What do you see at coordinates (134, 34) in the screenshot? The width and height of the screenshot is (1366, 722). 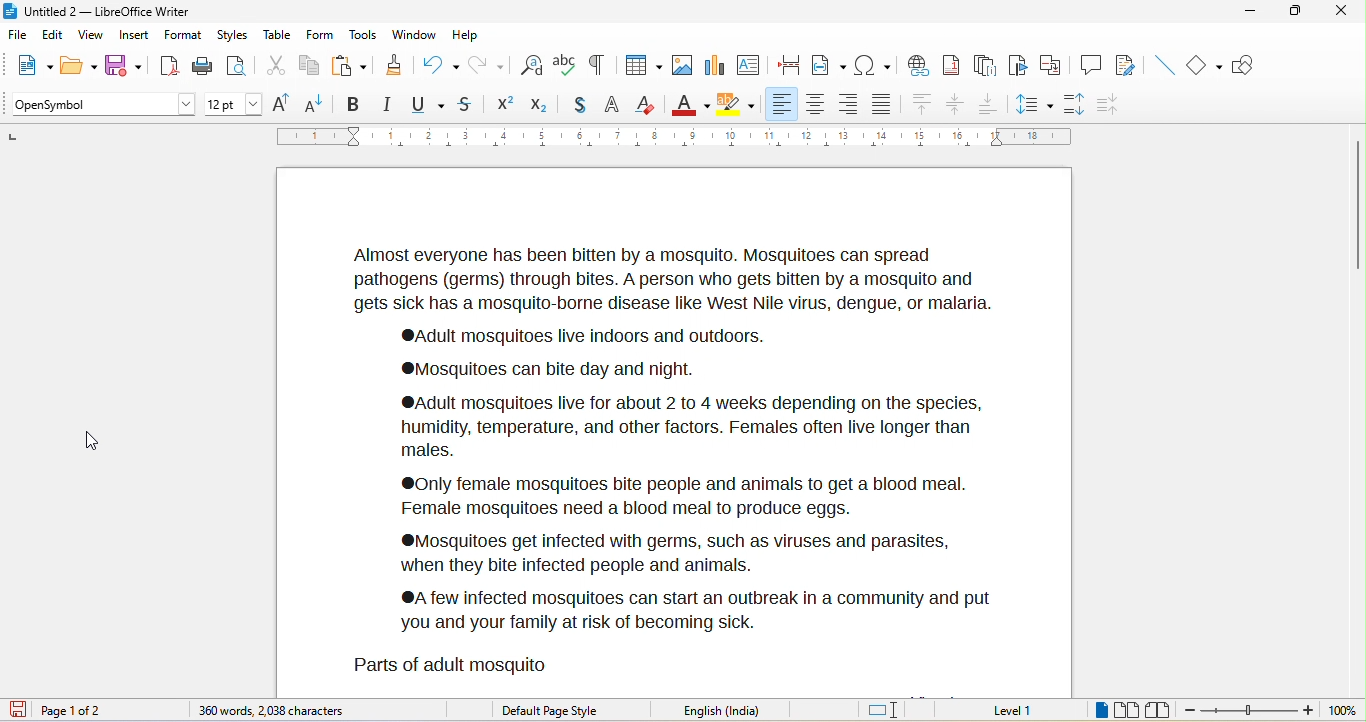 I see `insert` at bounding box center [134, 34].